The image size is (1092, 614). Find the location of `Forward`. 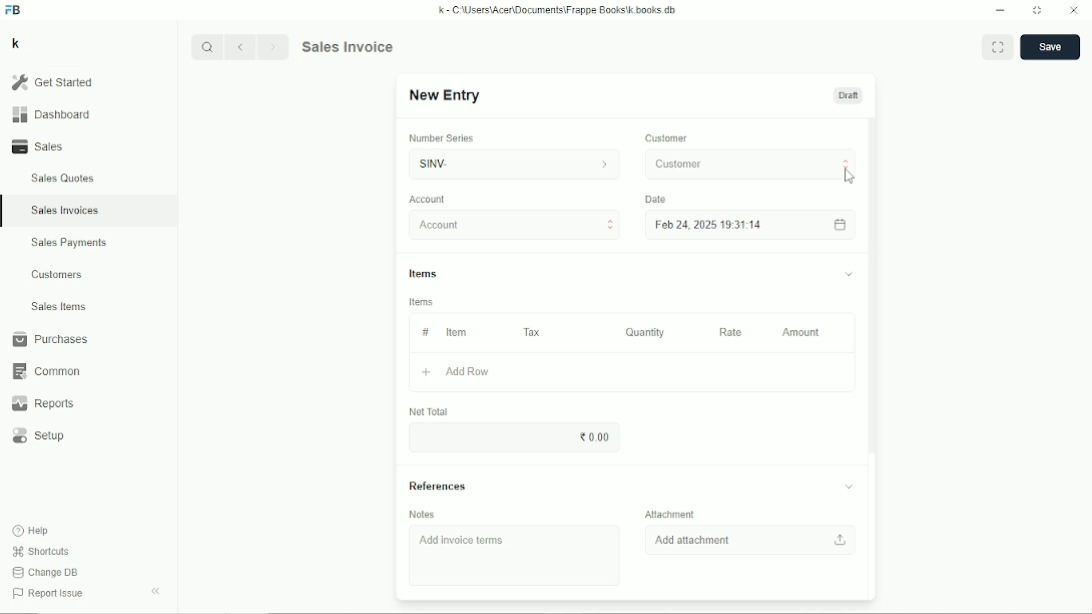

Forward is located at coordinates (275, 45).